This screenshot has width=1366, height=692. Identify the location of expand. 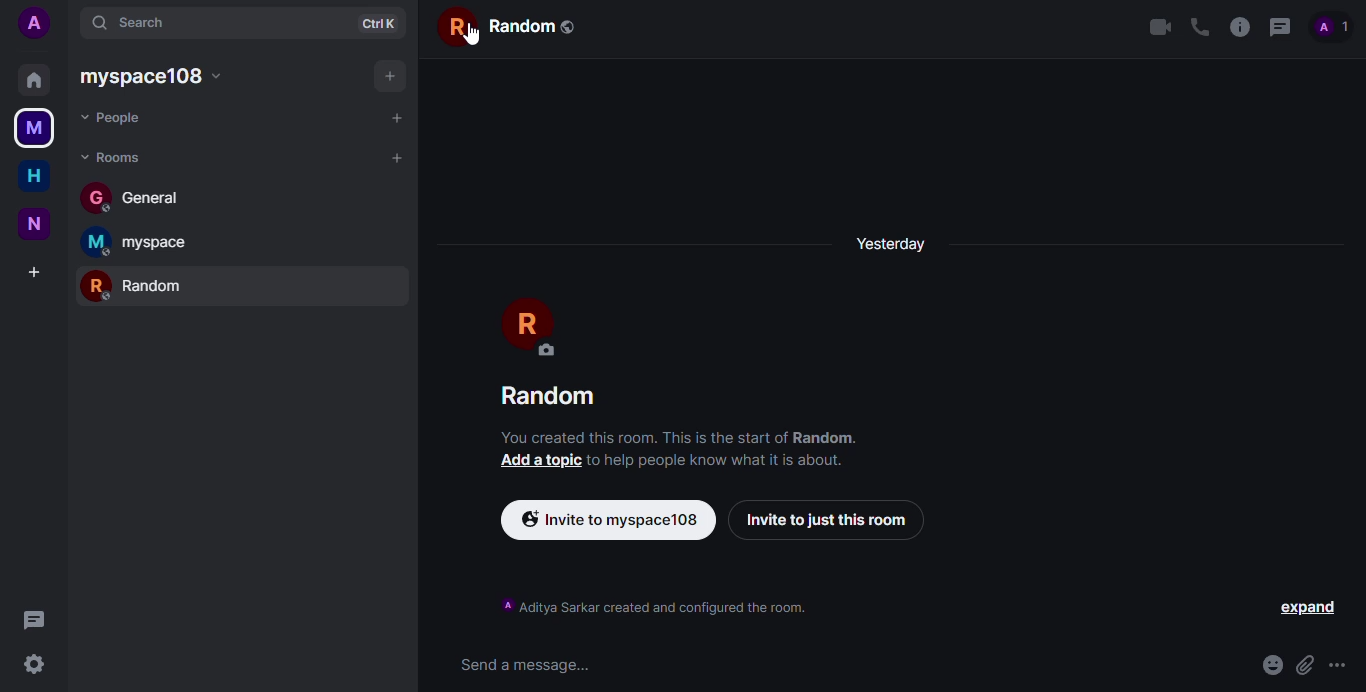
(1305, 609).